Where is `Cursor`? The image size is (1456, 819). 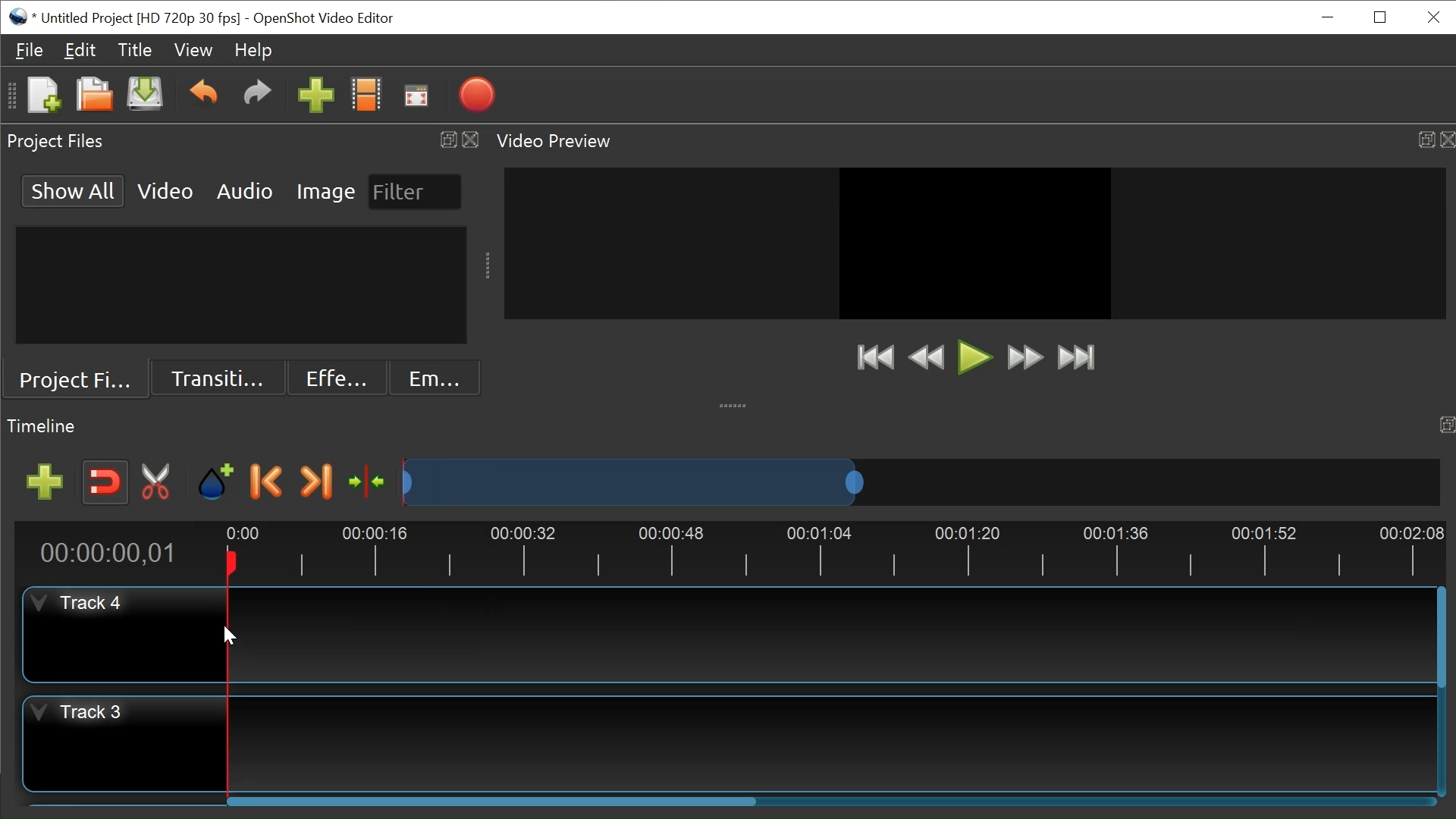 Cursor is located at coordinates (228, 638).